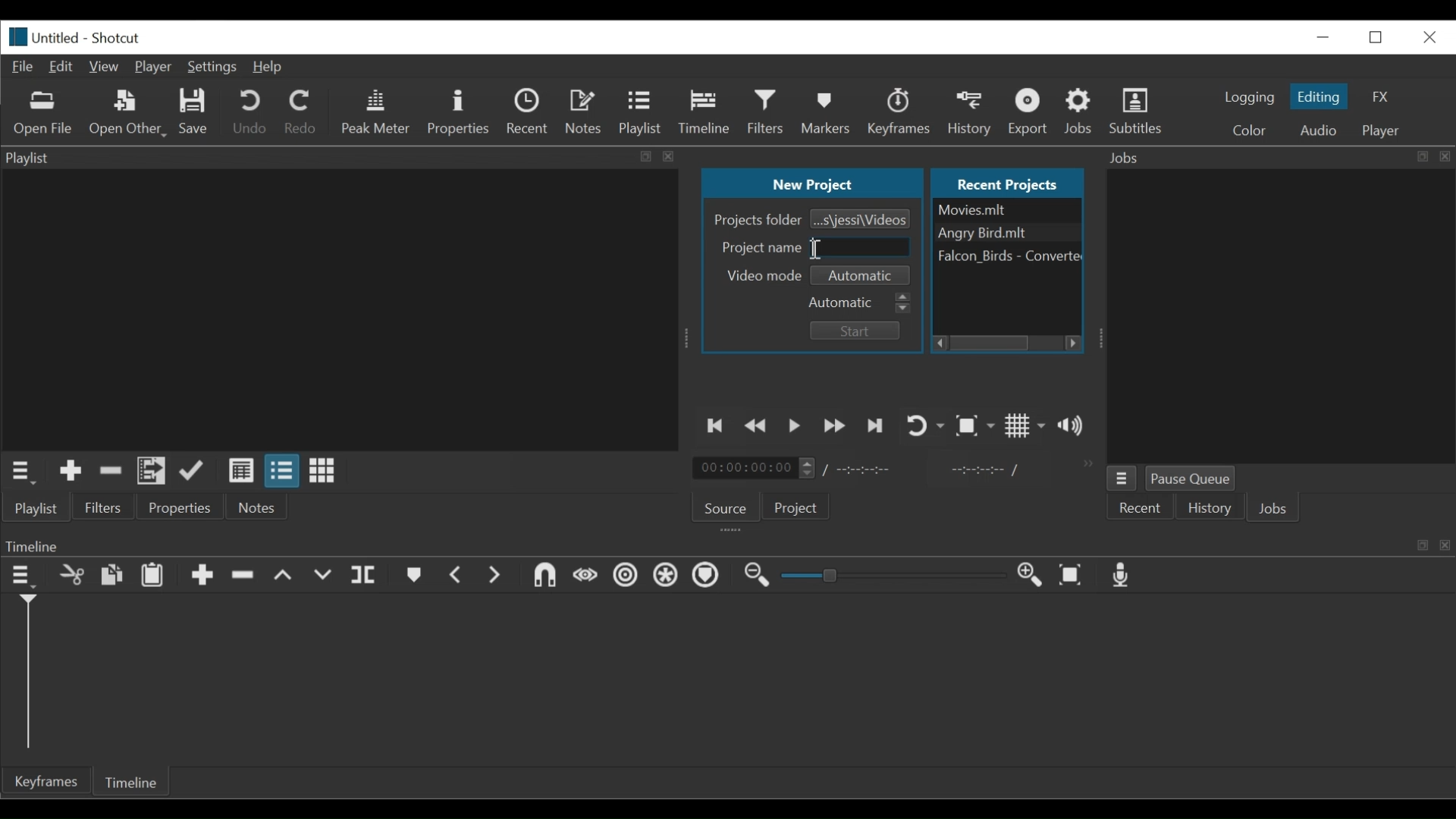  I want to click on Toggle play or pause, so click(795, 428).